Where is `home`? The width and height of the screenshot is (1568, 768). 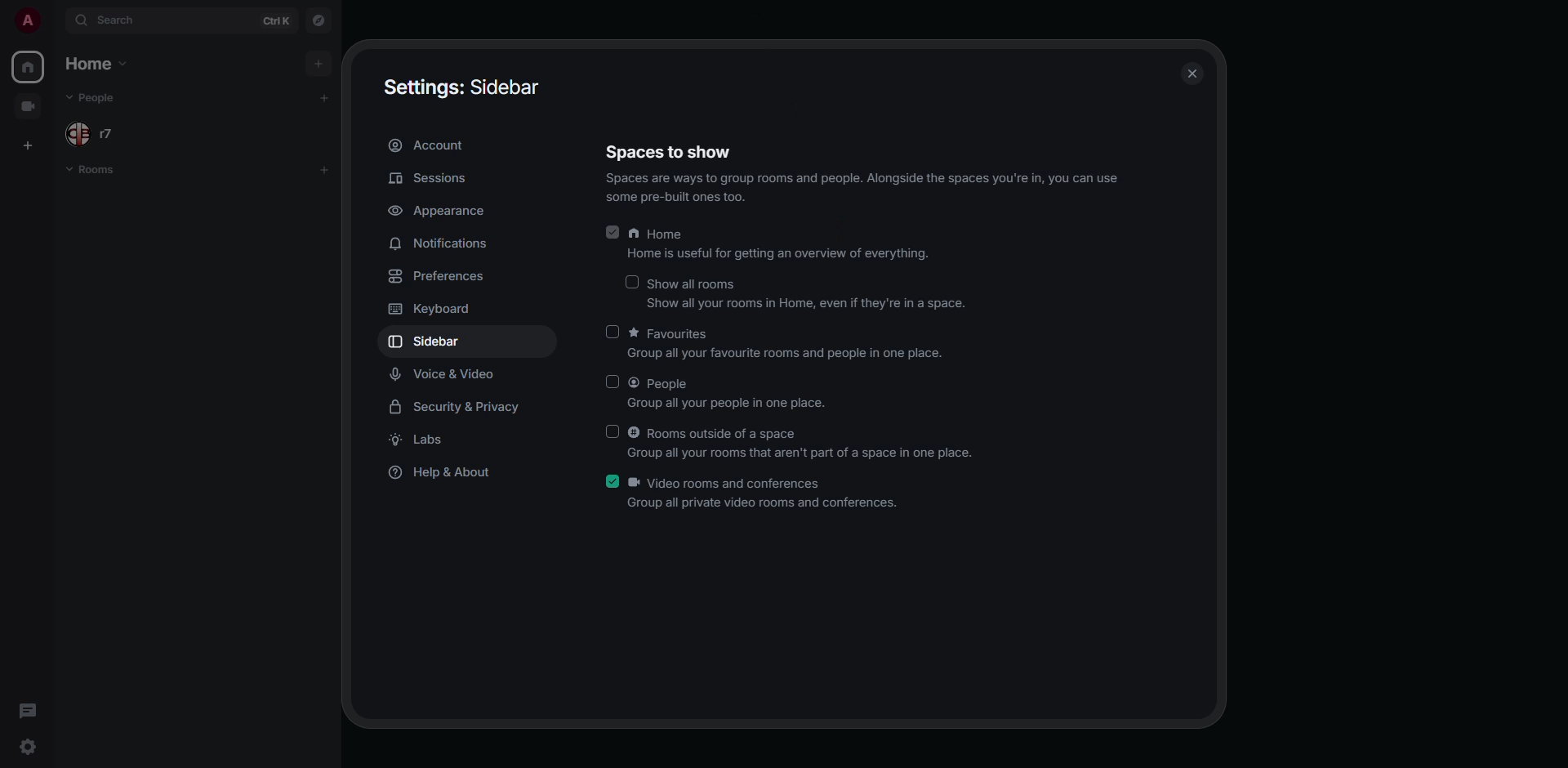 home is located at coordinates (29, 67).